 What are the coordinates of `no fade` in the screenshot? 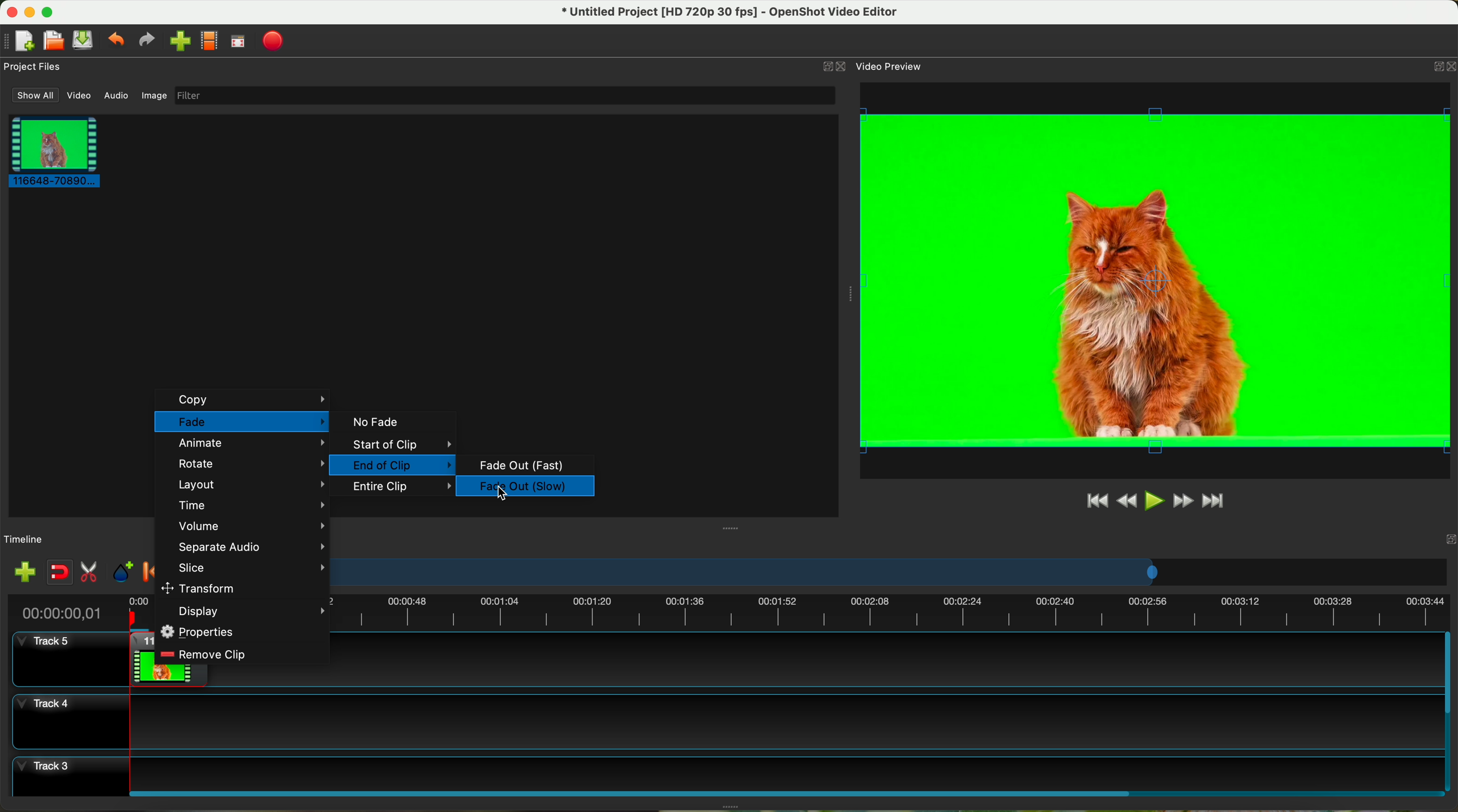 It's located at (374, 422).